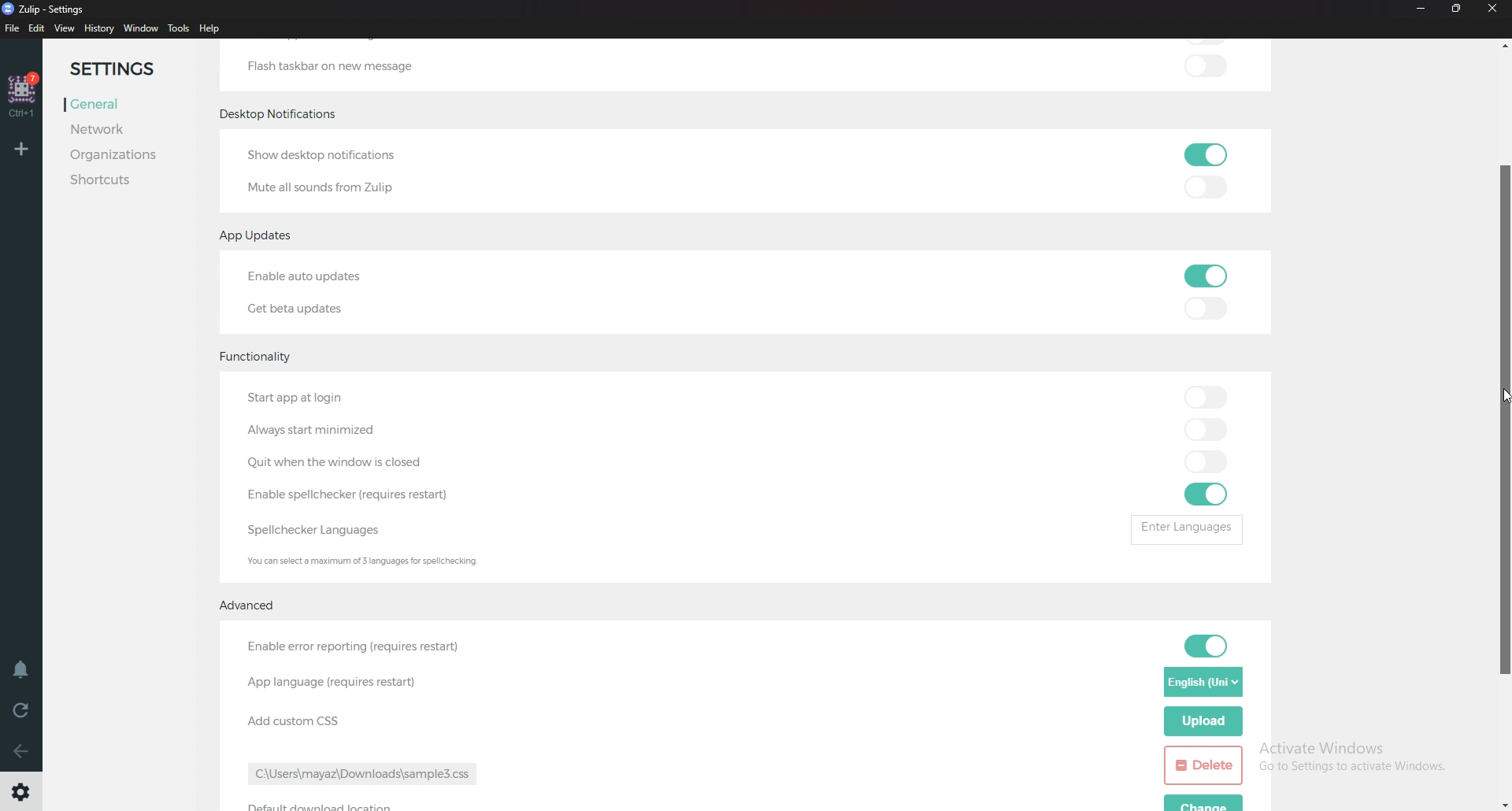 The image size is (1512, 811). What do you see at coordinates (320, 530) in the screenshot?
I see `Spell checker languages` at bounding box center [320, 530].